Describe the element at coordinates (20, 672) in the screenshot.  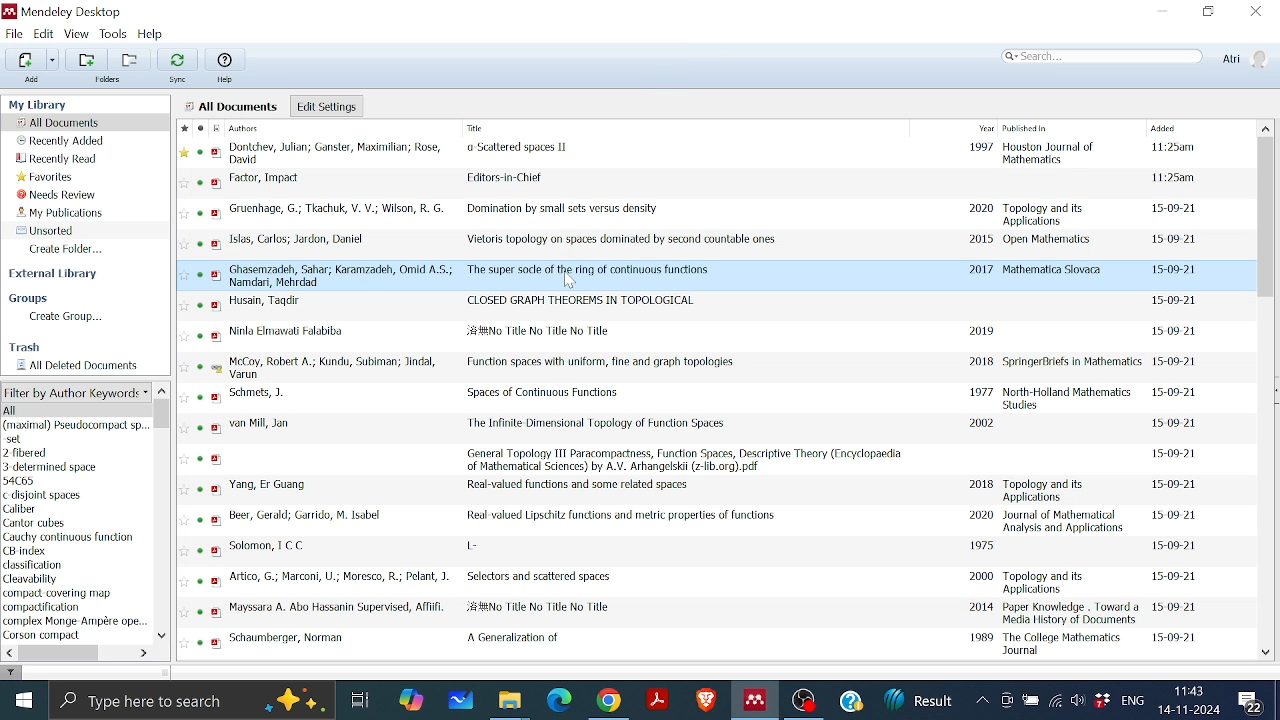
I see `filter` at that location.